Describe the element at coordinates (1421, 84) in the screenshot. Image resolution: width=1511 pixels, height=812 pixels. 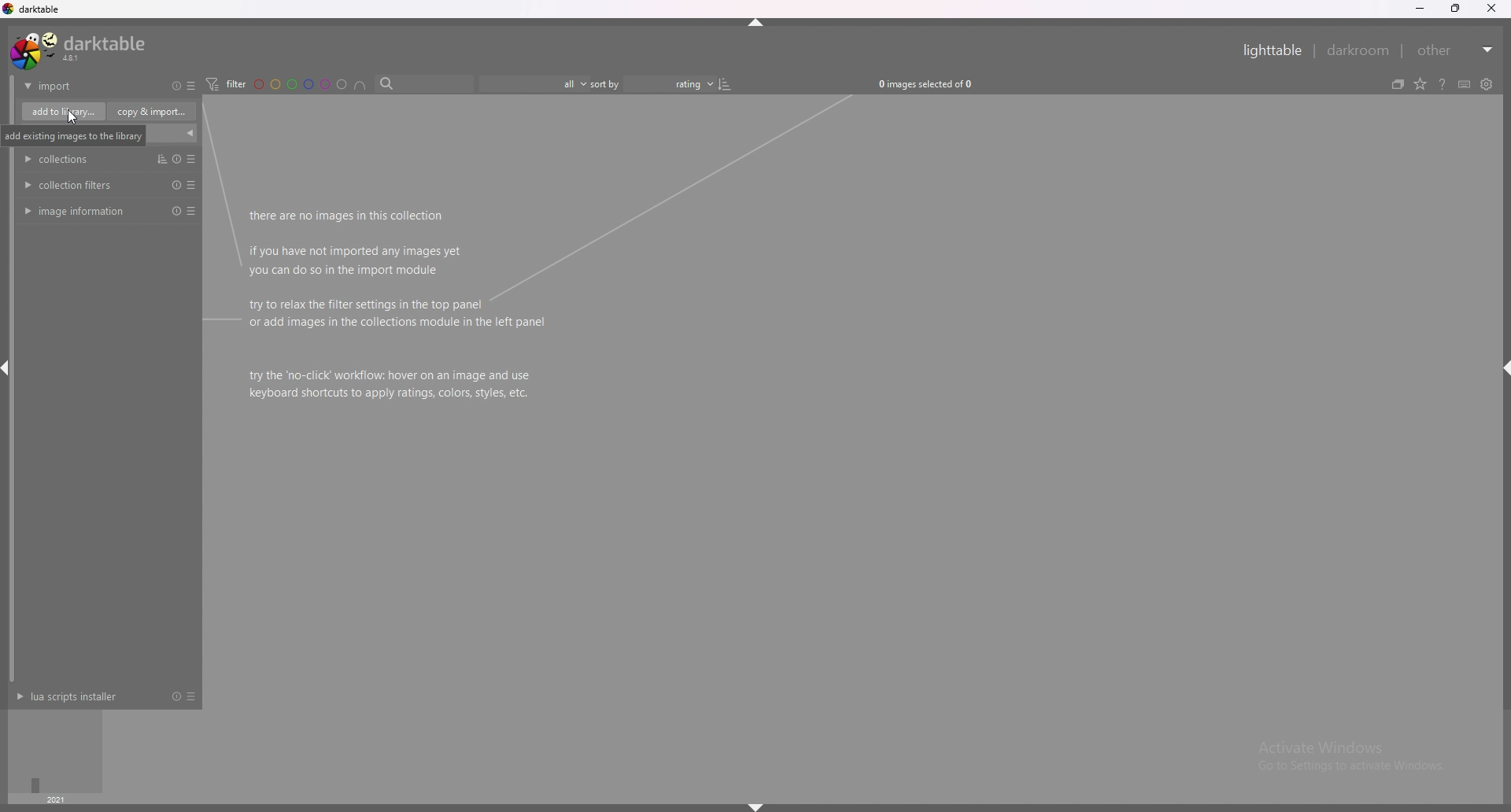
I see `change type of overlays` at that location.